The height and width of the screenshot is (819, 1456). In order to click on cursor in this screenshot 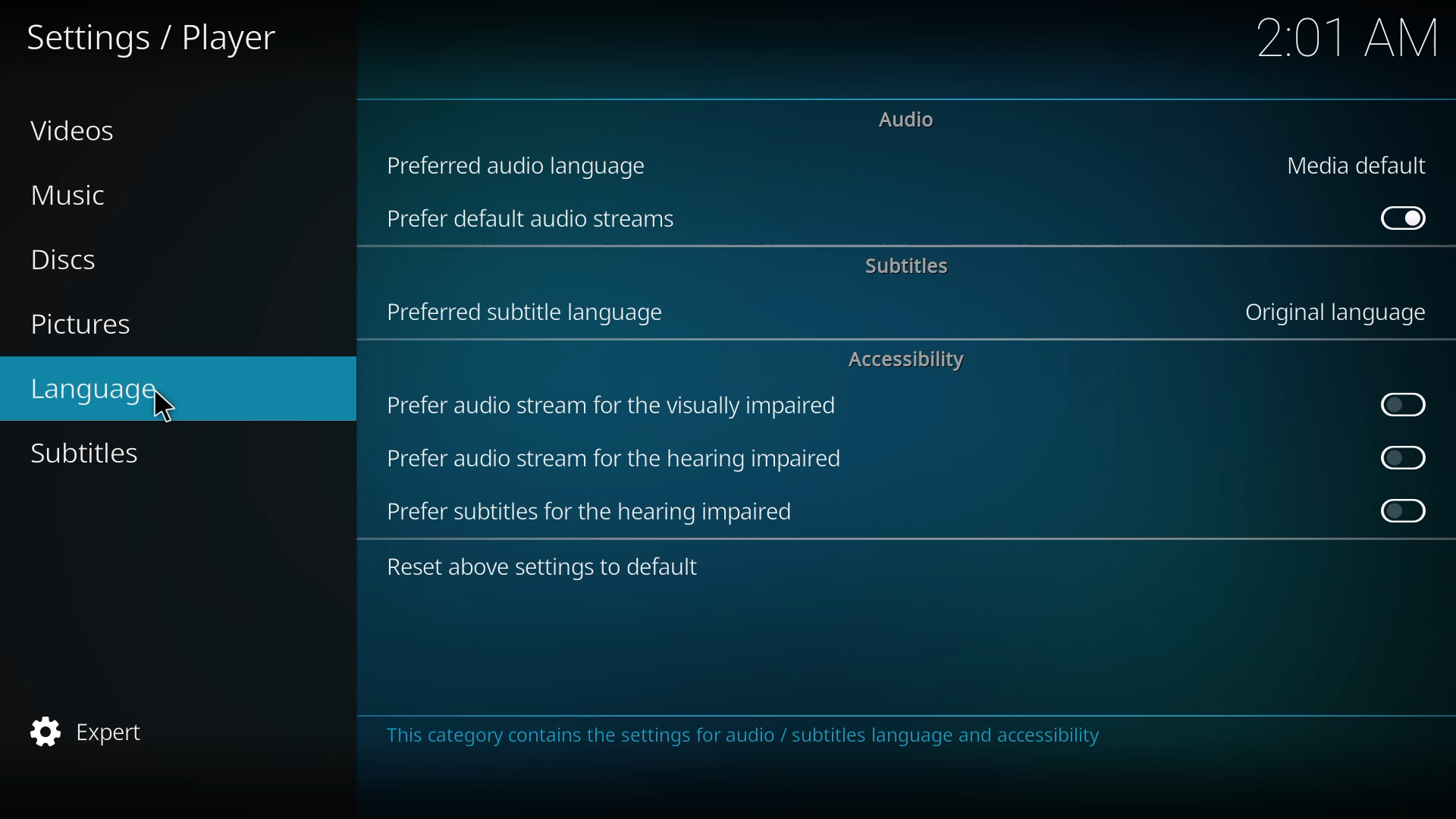, I will do `click(162, 409)`.